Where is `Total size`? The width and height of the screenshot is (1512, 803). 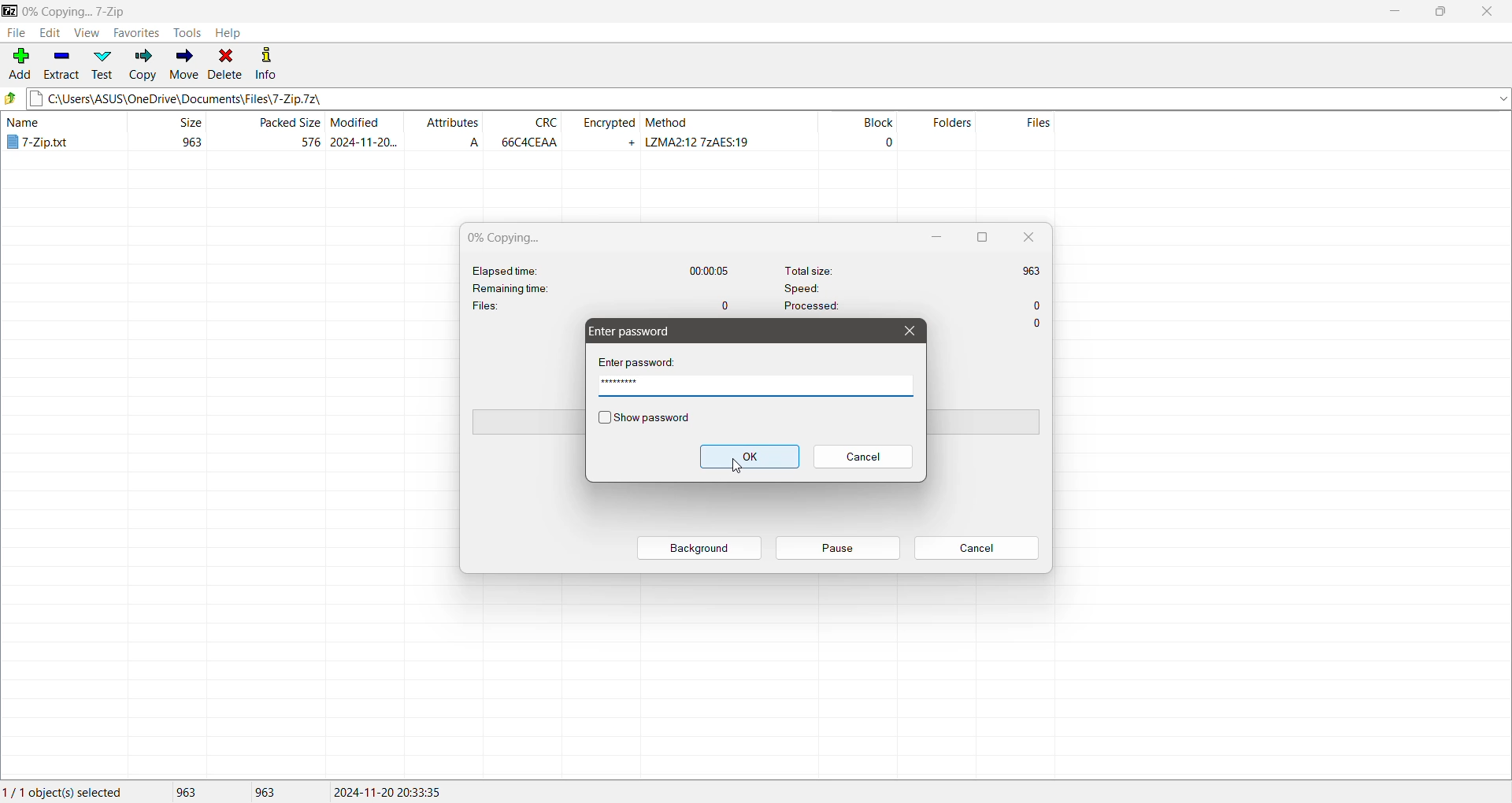 Total size is located at coordinates (913, 268).